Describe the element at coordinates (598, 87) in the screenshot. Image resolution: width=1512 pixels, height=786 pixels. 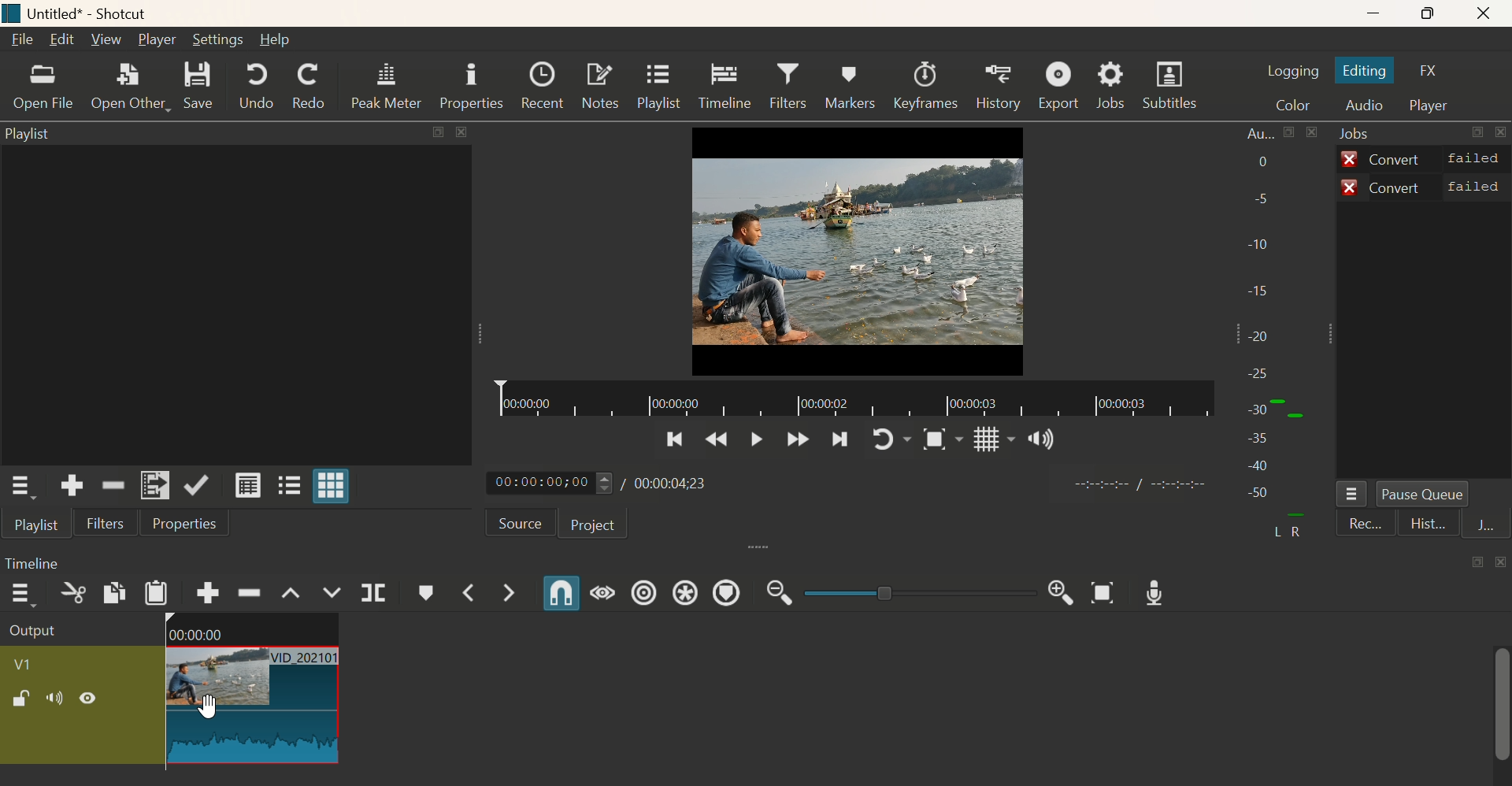
I see `Notes` at that location.